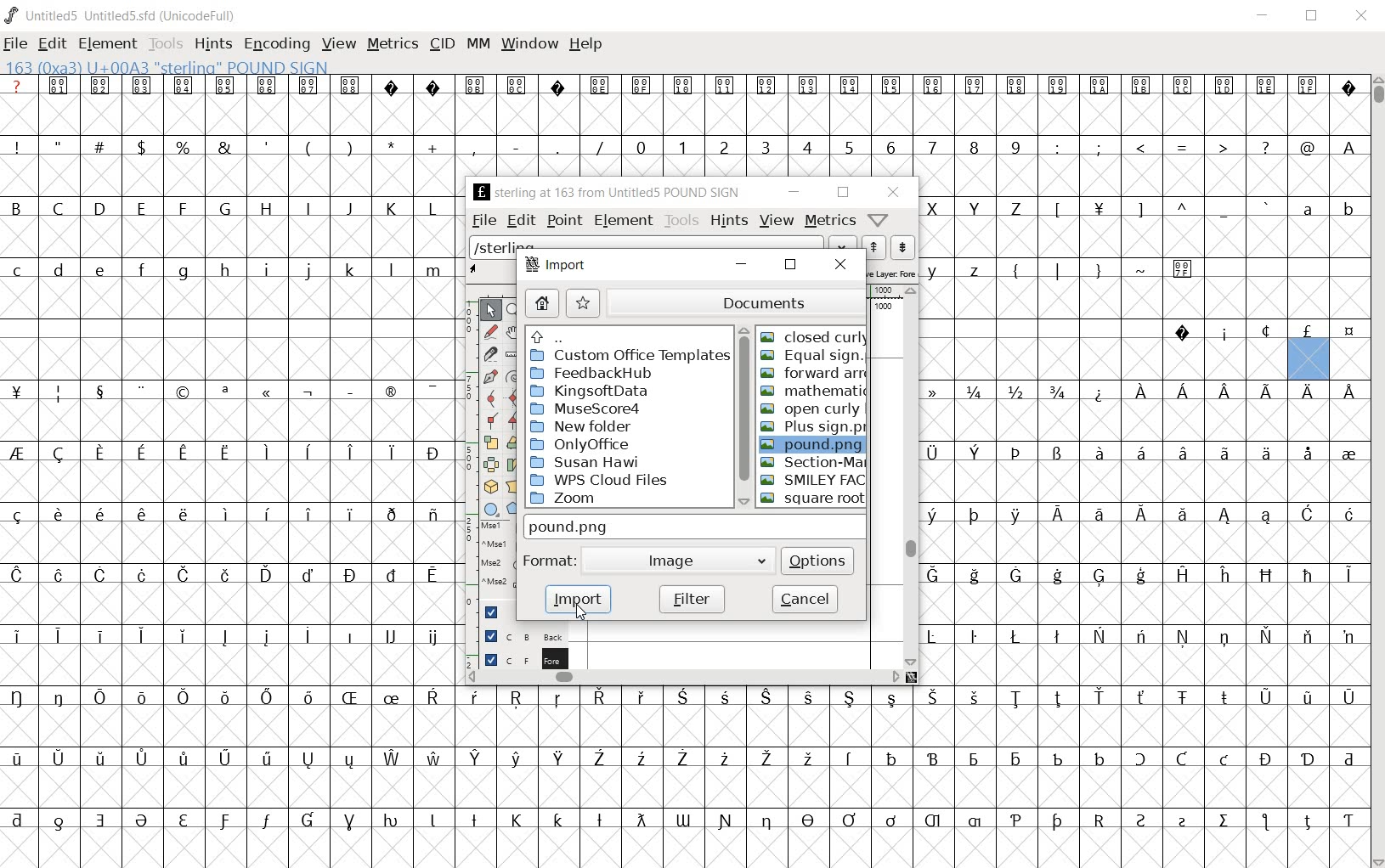 The width and height of the screenshot is (1385, 868). I want to click on y, so click(936, 270).